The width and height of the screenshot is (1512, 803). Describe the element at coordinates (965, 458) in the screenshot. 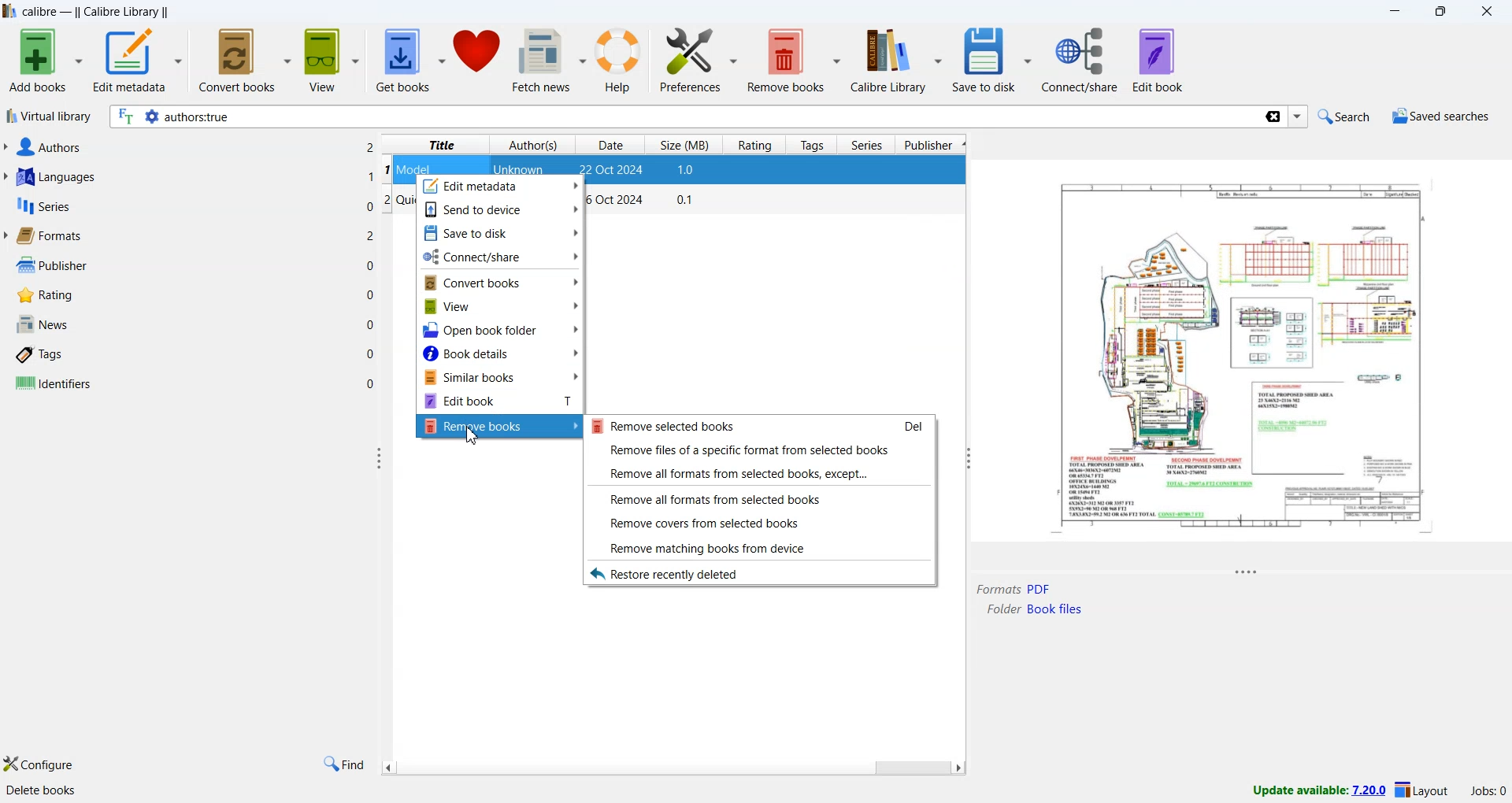

I see `customize width` at that location.